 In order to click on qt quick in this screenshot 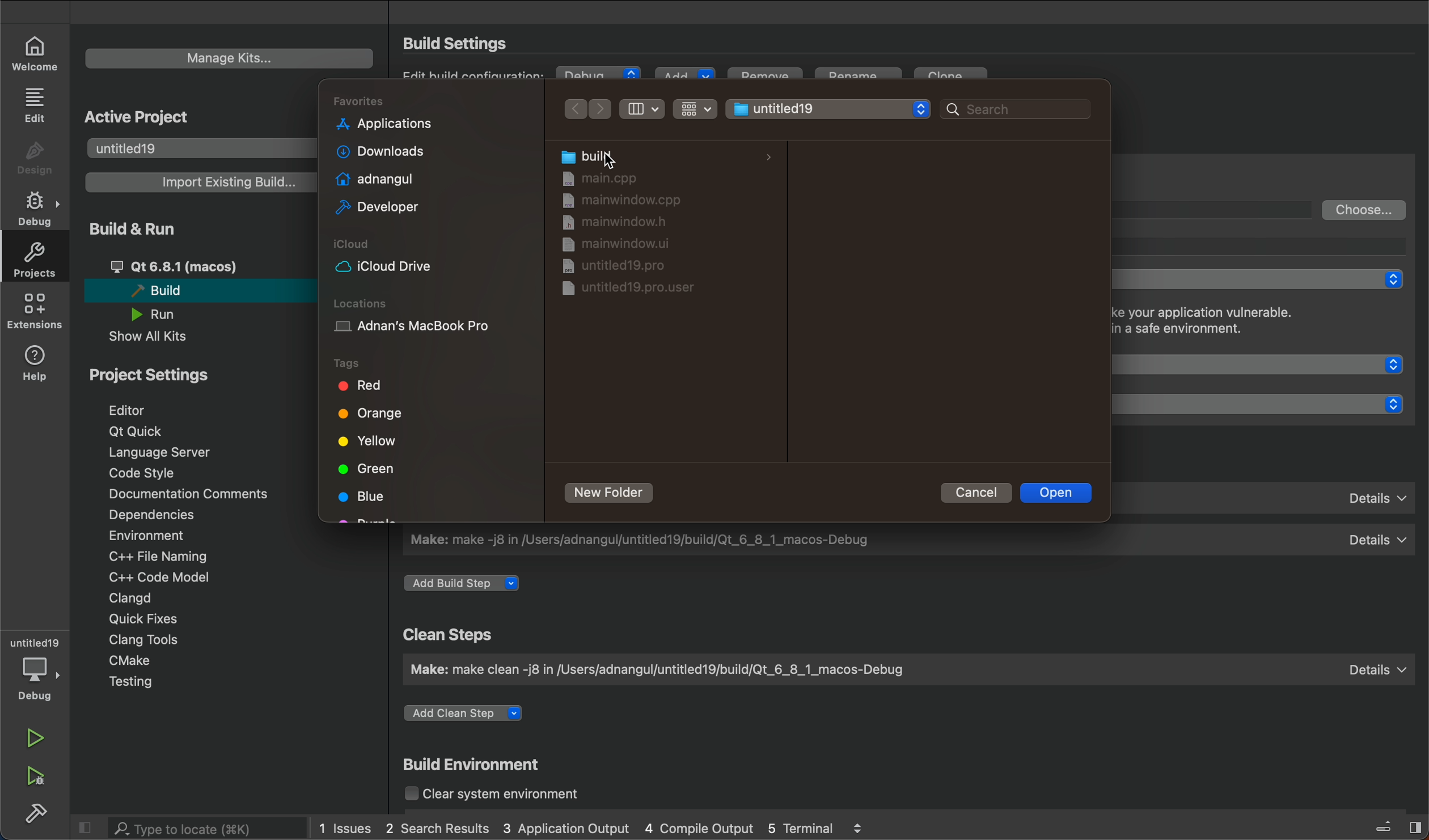, I will do `click(139, 432)`.